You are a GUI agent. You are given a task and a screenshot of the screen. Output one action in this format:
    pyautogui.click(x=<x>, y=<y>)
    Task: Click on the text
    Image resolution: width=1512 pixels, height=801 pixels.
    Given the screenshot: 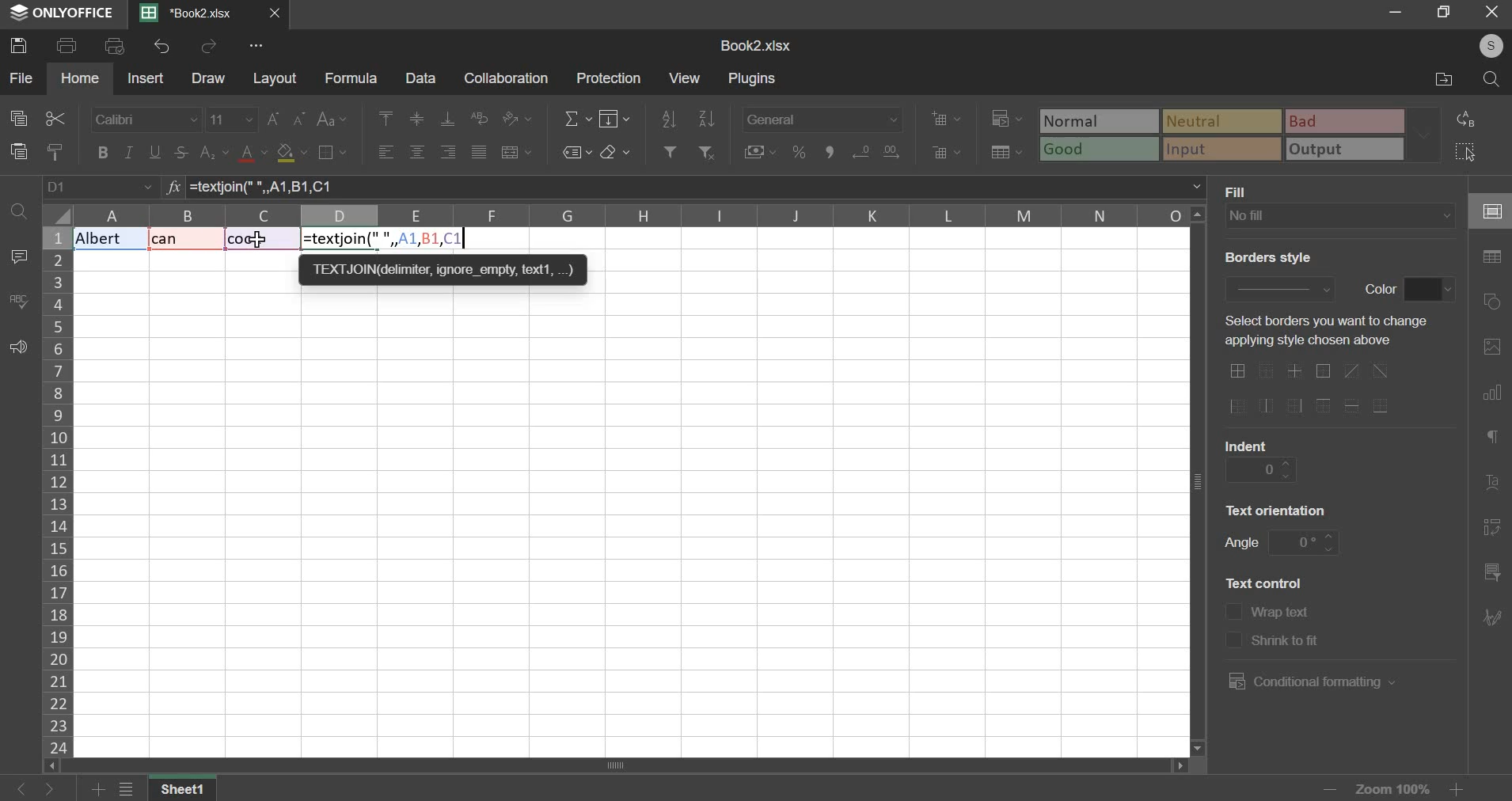 What is the action you would take?
    pyautogui.click(x=1247, y=443)
    